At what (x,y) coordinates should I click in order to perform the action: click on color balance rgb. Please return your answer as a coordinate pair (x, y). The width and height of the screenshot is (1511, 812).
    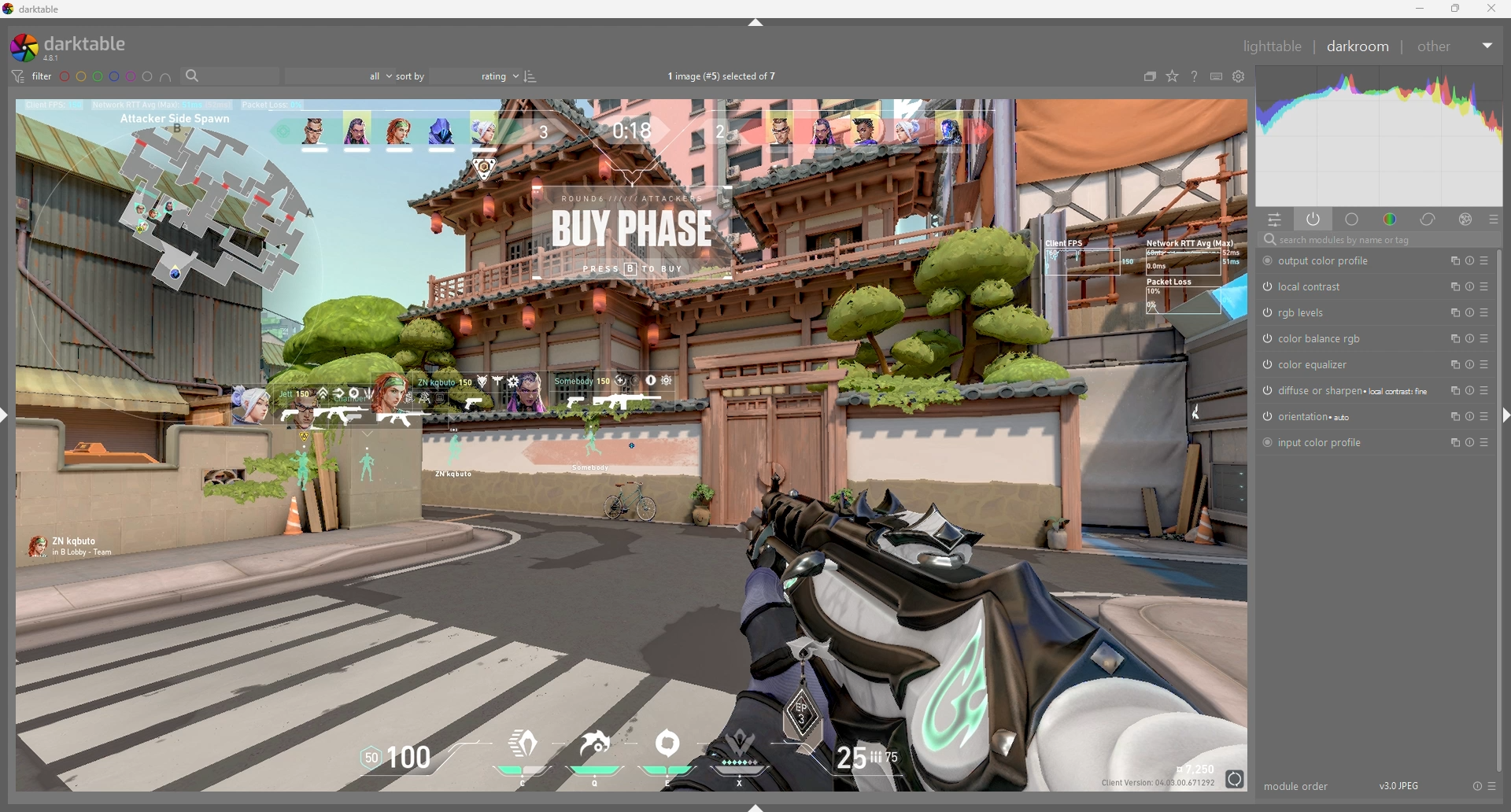
    Looking at the image, I should click on (1324, 339).